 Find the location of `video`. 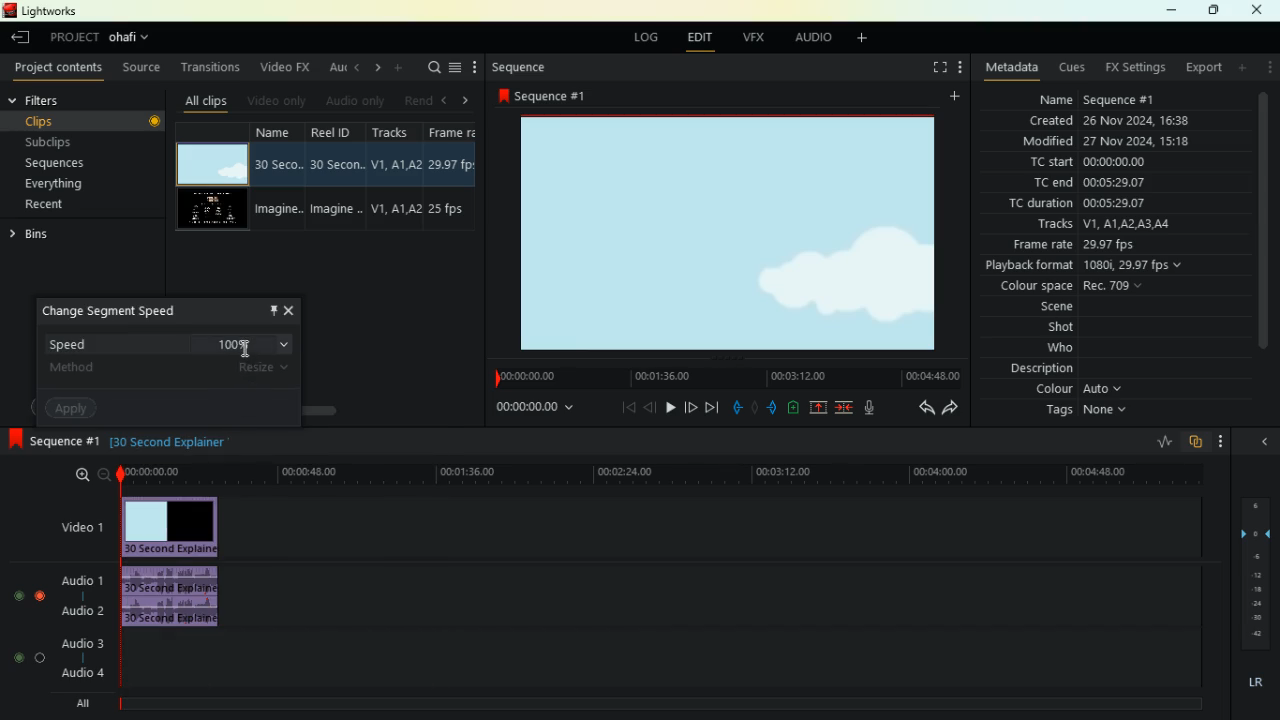

video is located at coordinates (180, 526).